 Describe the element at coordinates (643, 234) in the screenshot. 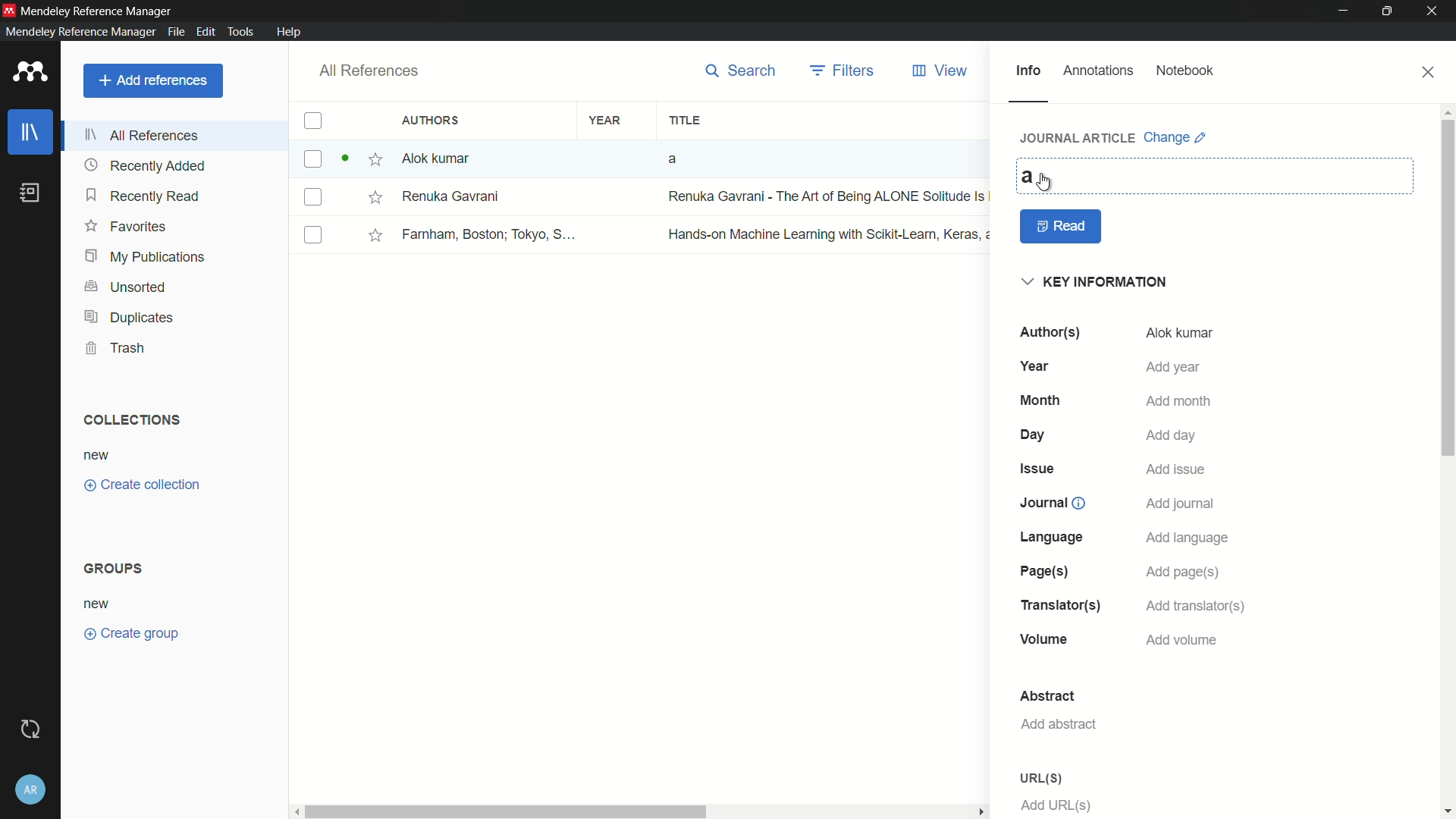

I see `book-3` at that location.